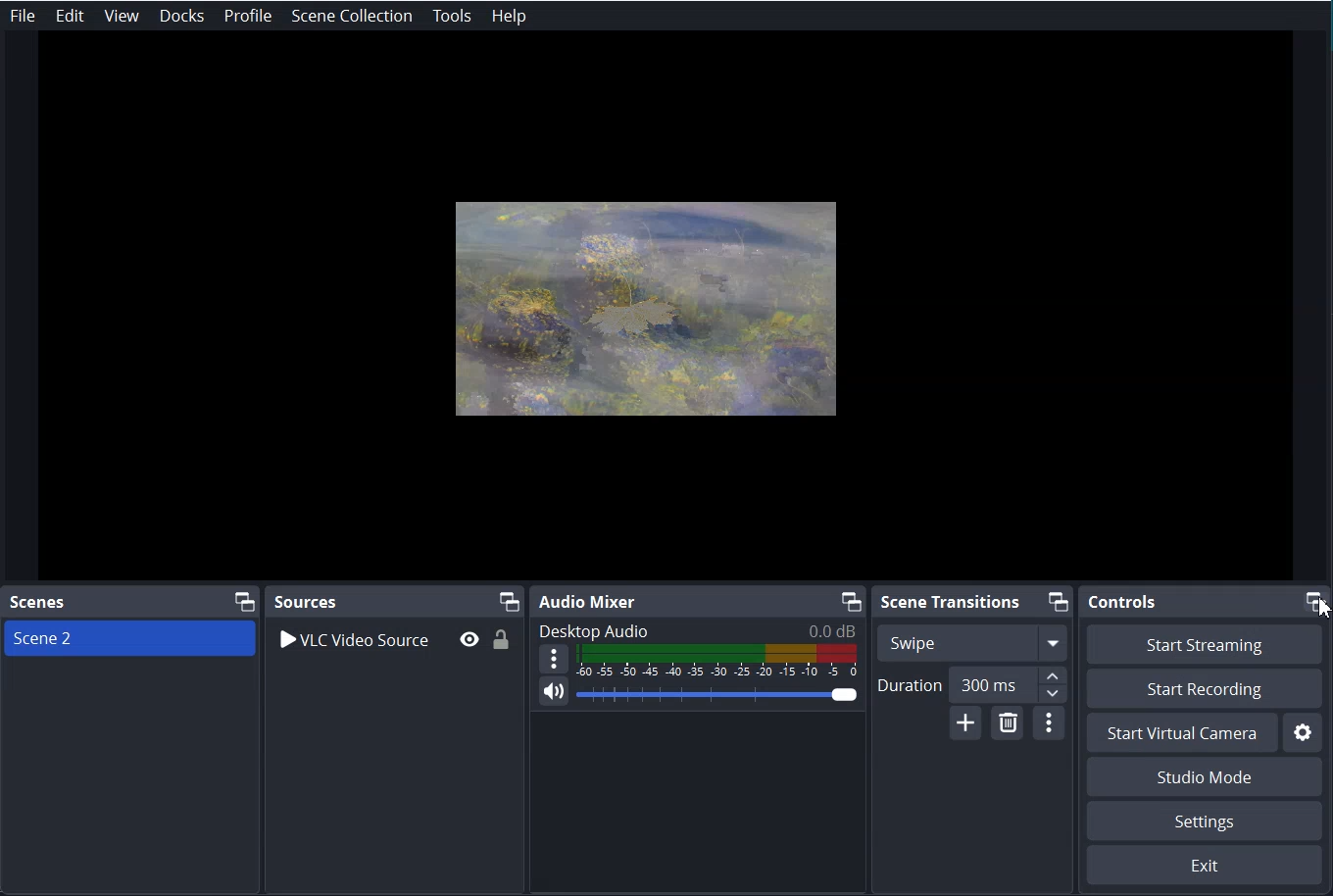  I want to click on Settings, so click(1204, 820).